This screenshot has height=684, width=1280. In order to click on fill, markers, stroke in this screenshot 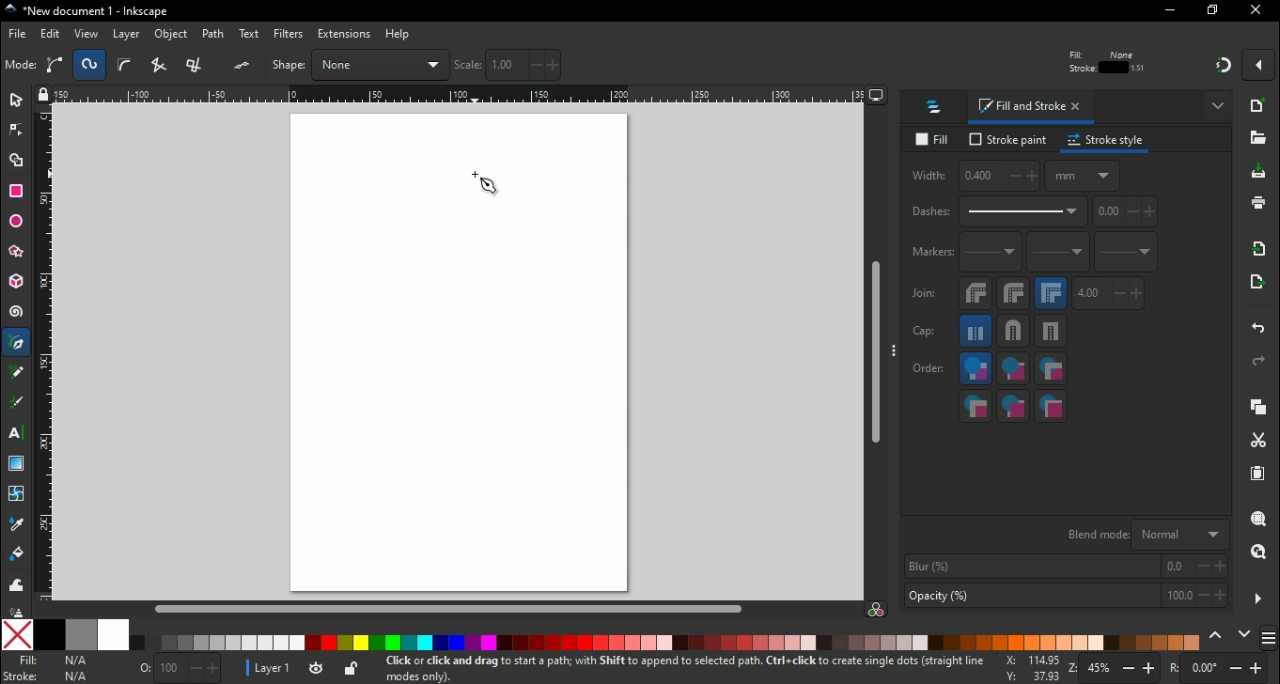, I will do `click(1051, 371)`.